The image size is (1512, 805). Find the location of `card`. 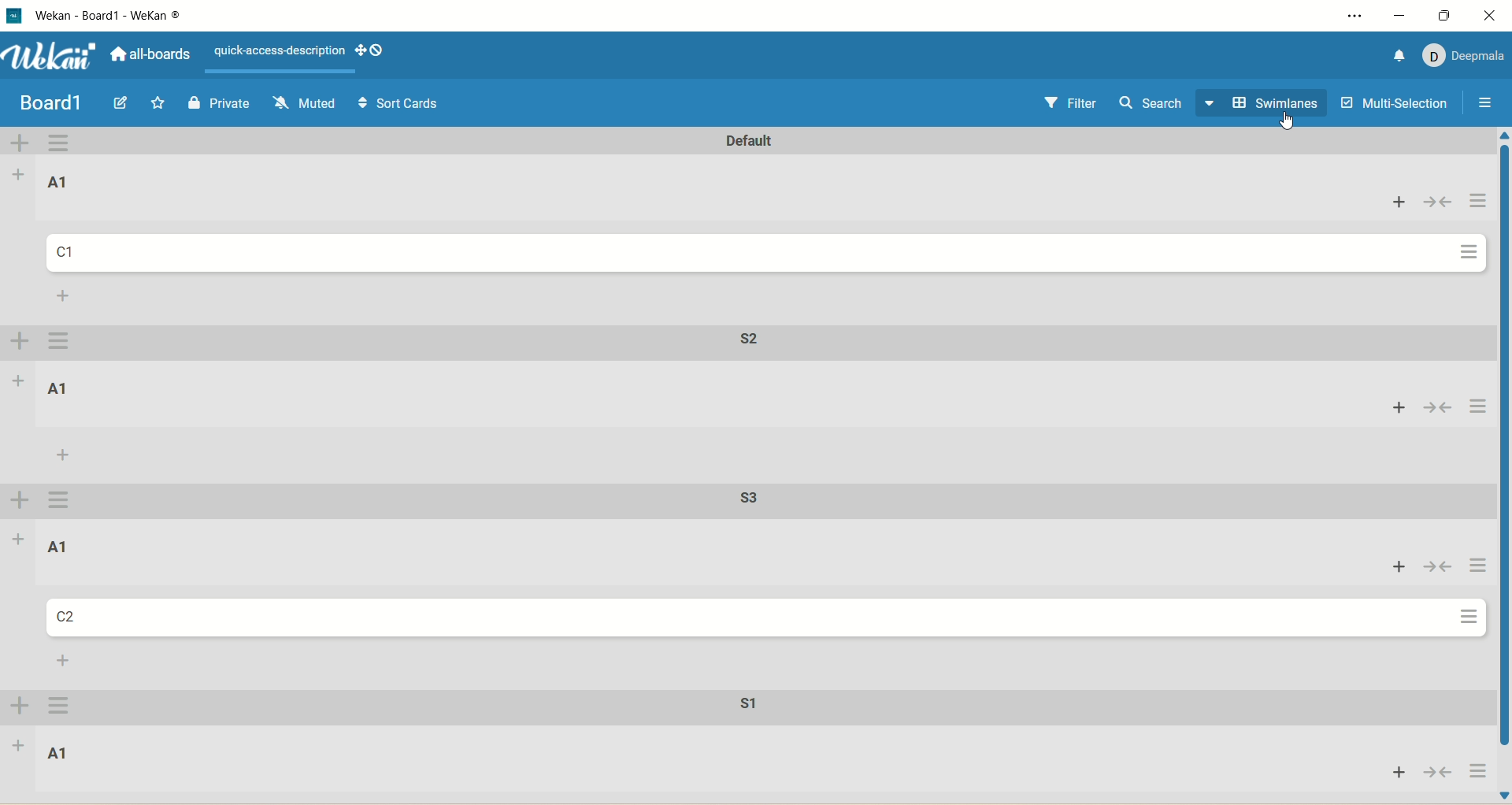

card is located at coordinates (59, 753).